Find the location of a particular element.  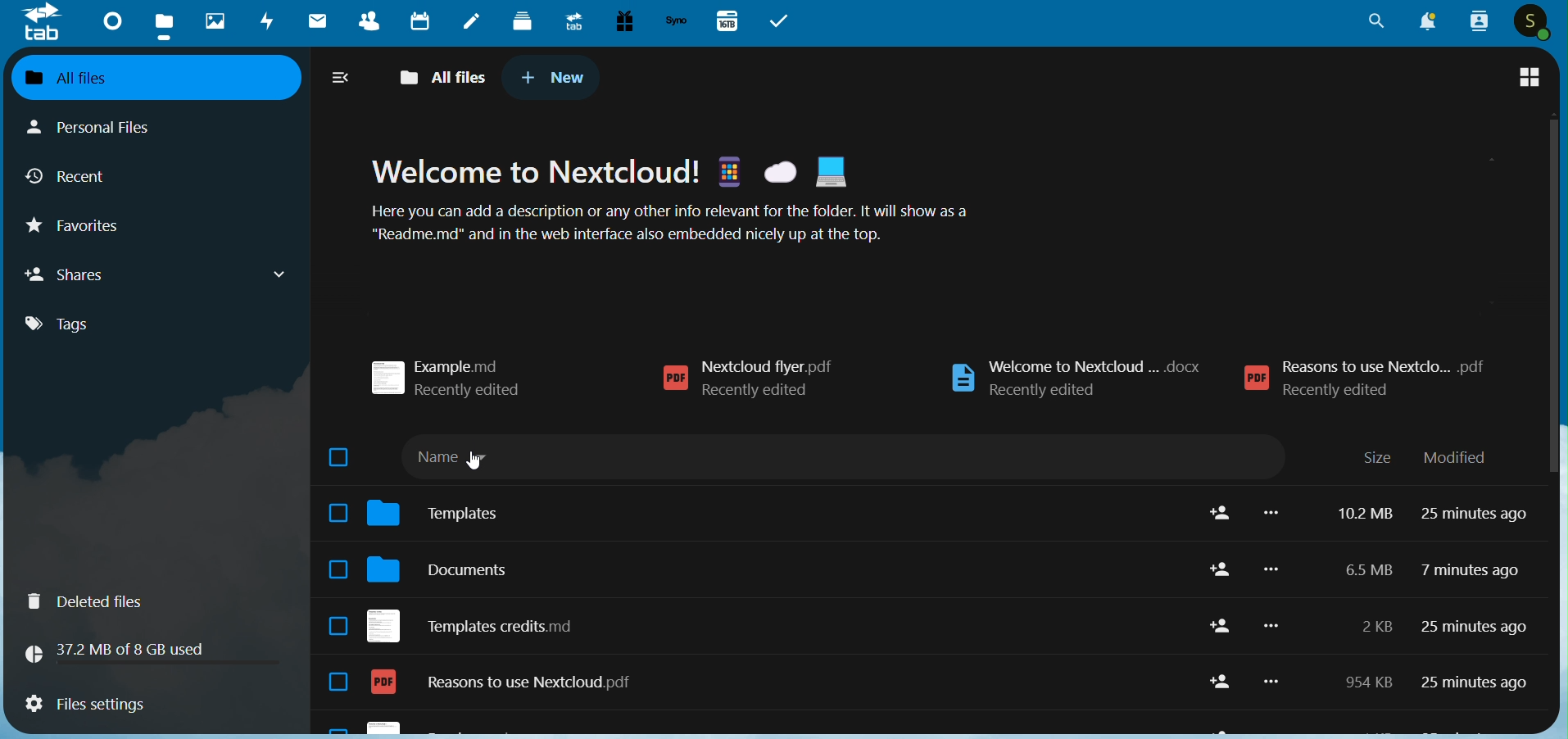

Notification is located at coordinates (1428, 21).